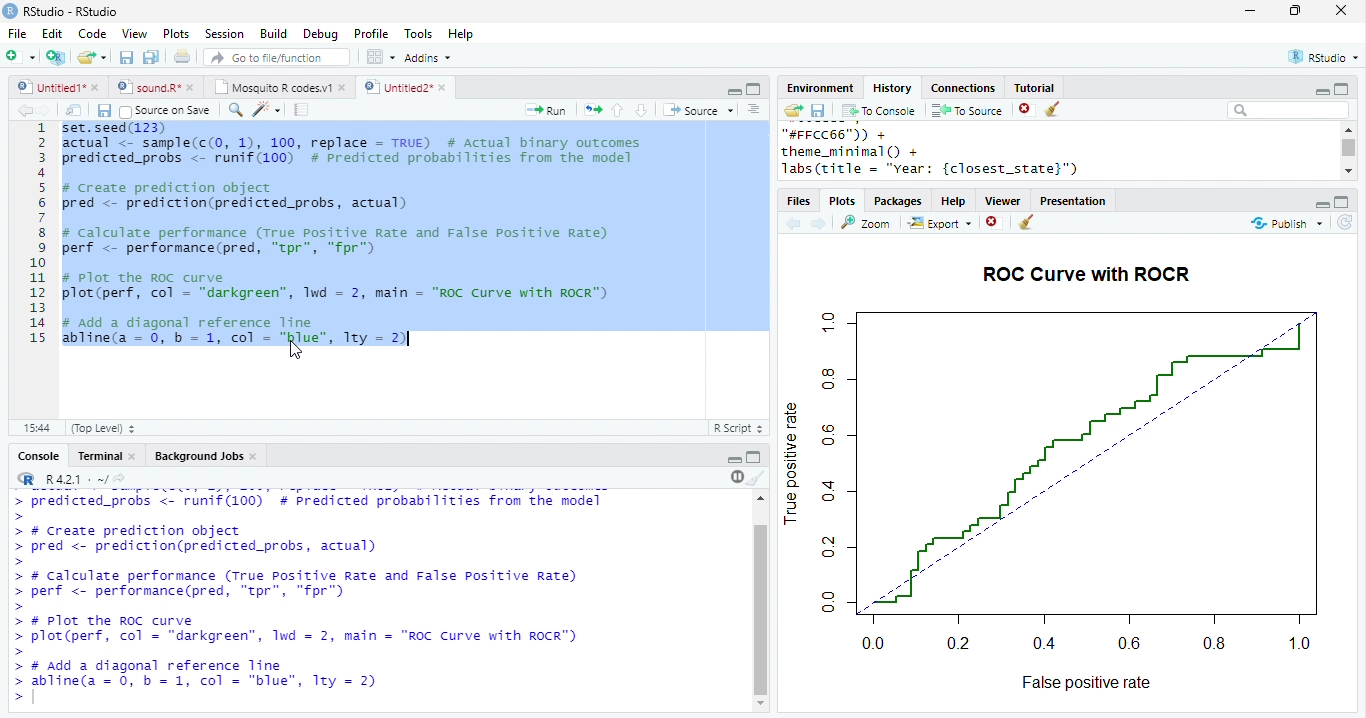 This screenshot has width=1366, height=718. I want to click on refresh, so click(1345, 223).